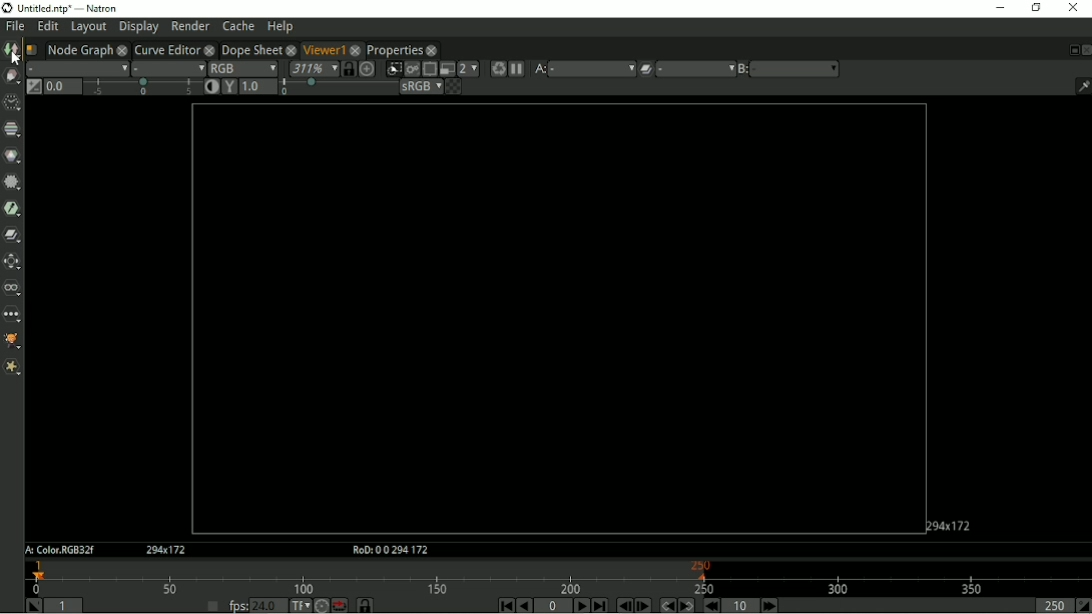 The height and width of the screenshot is (614, 1092). I want to click on Previous keyframe, so click(666, 605).